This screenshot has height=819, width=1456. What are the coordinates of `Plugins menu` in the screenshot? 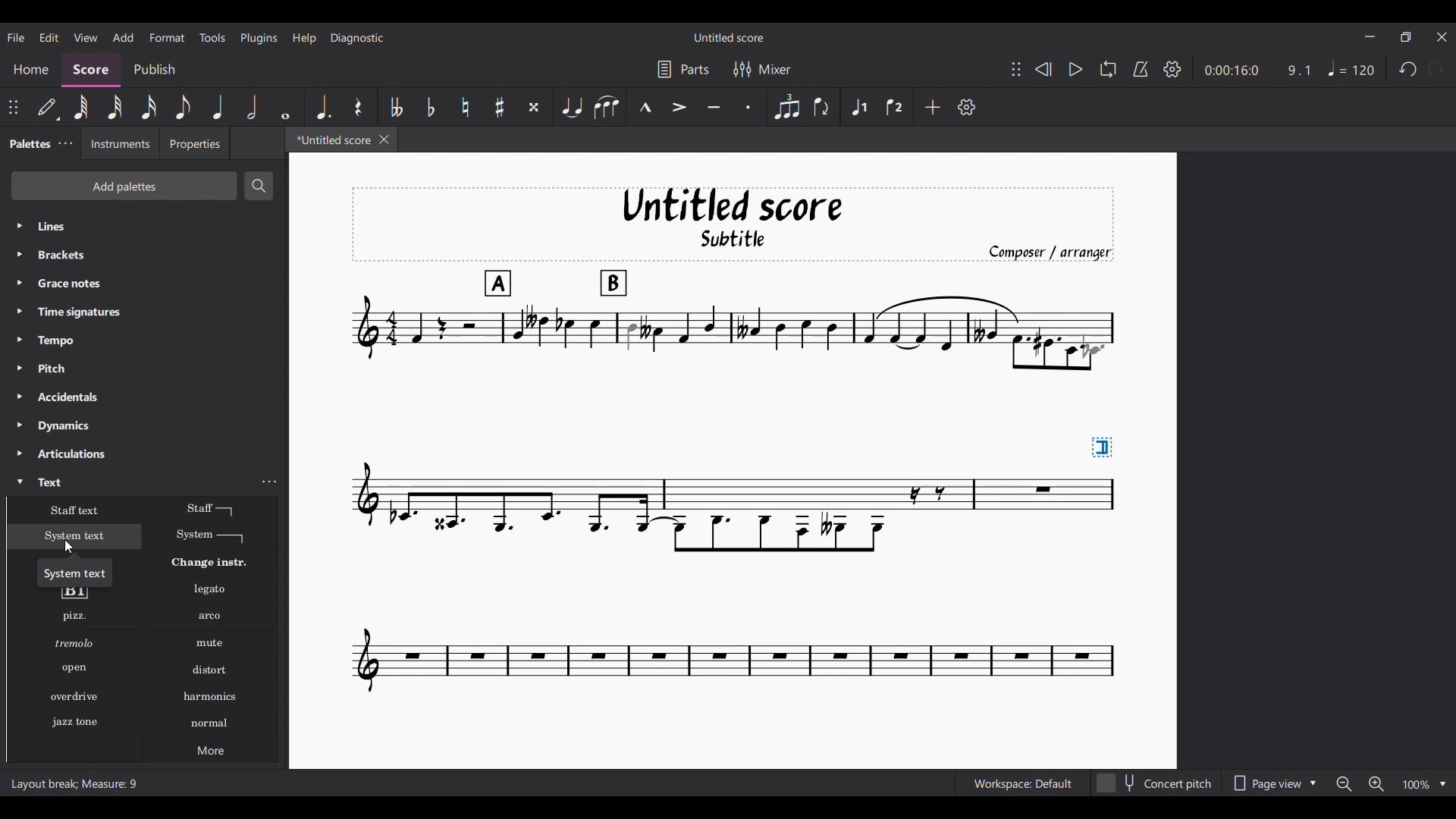 It's located at (259, 38).